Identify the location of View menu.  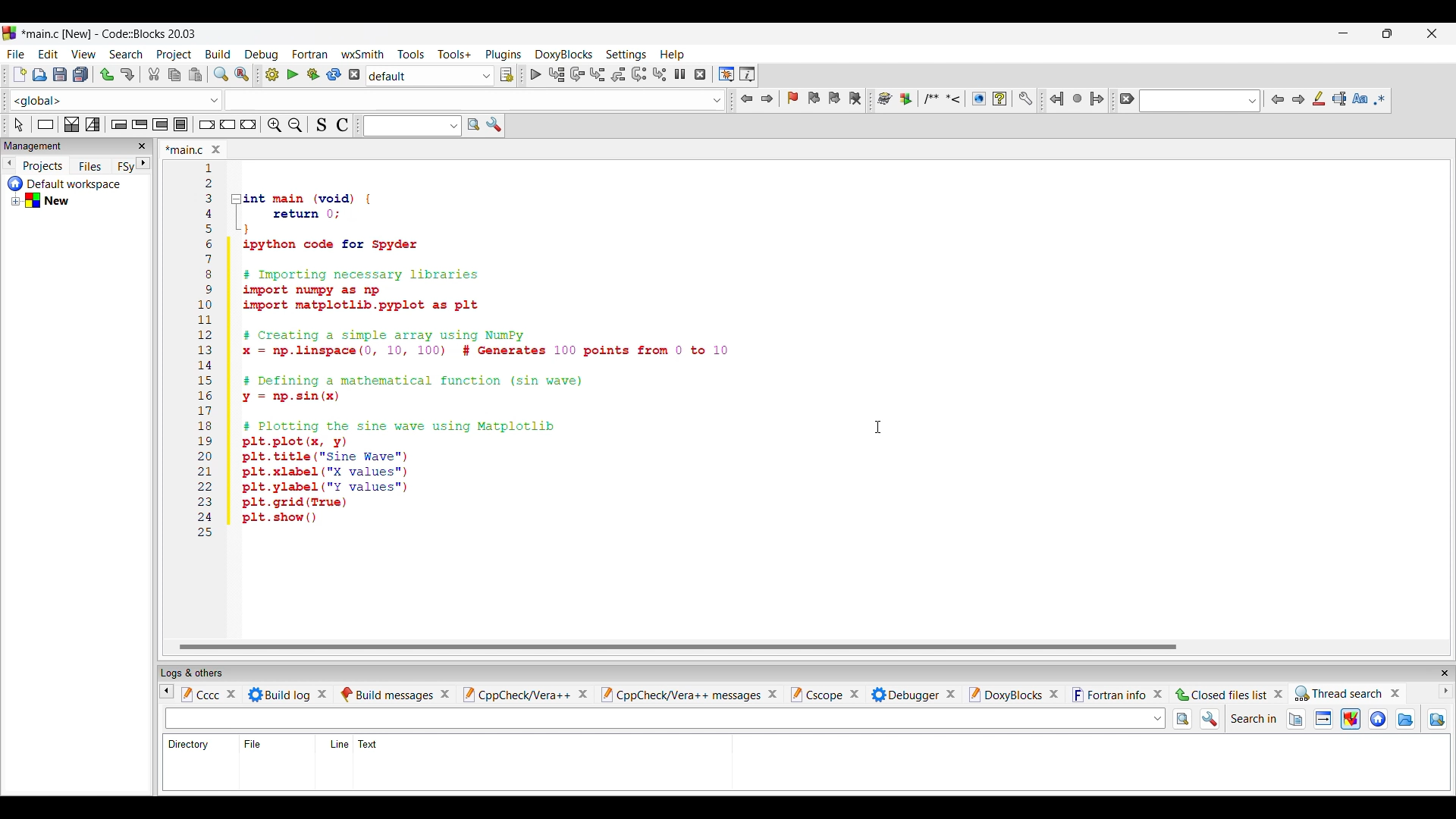
(84, 54).